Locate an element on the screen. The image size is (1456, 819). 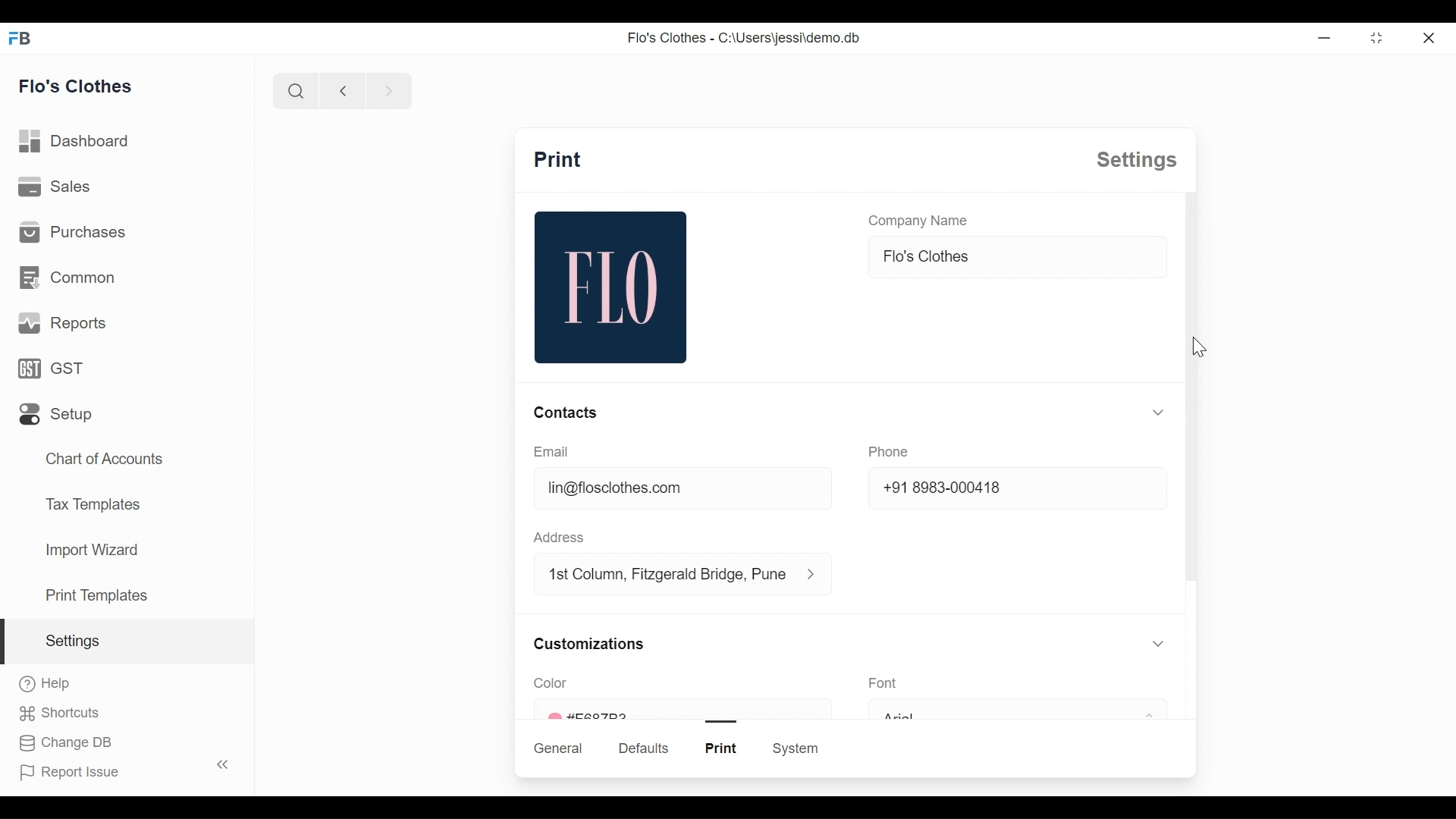
reports is located at coordinates (64, 323).